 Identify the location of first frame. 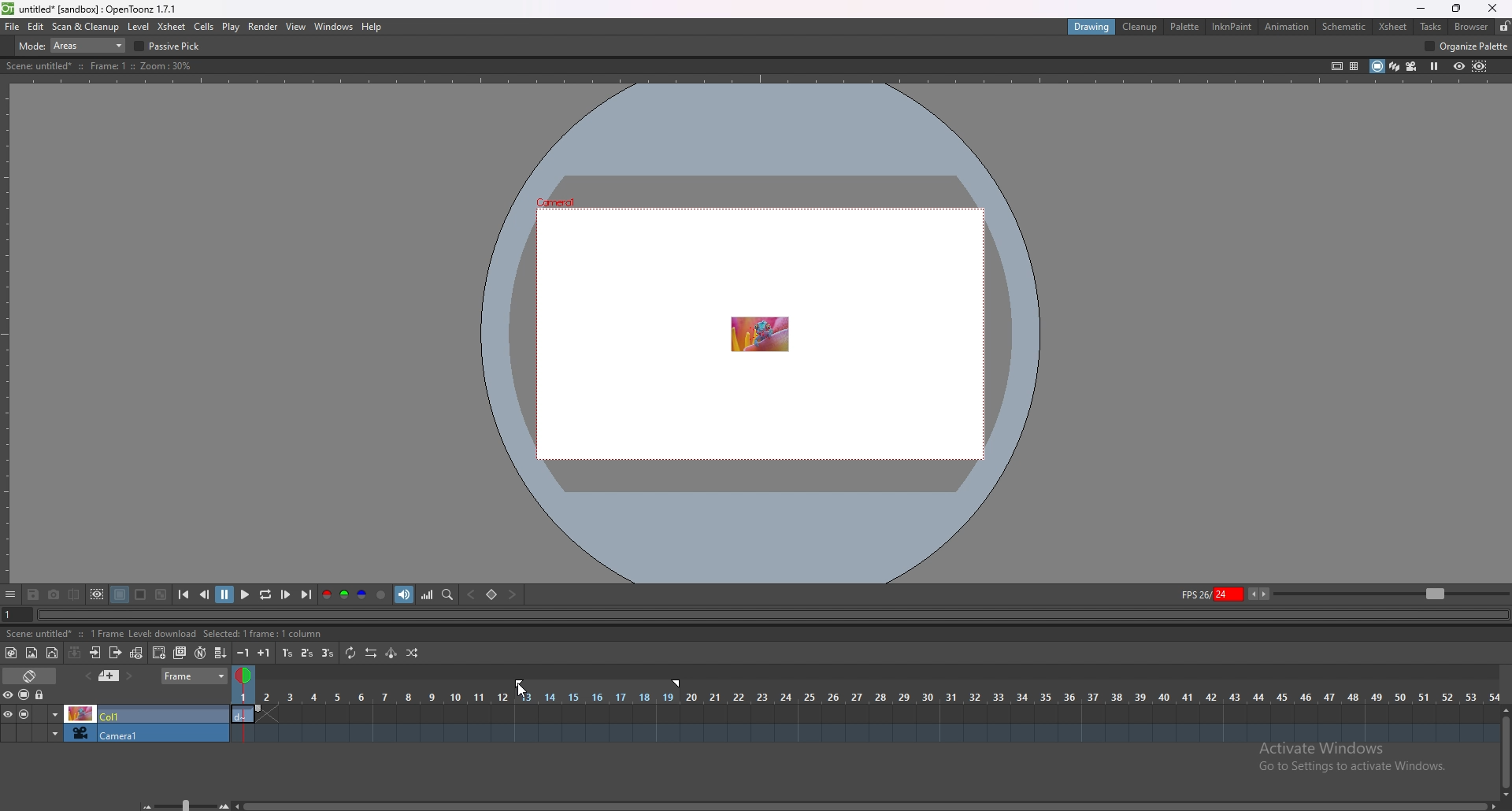
(184, 595).